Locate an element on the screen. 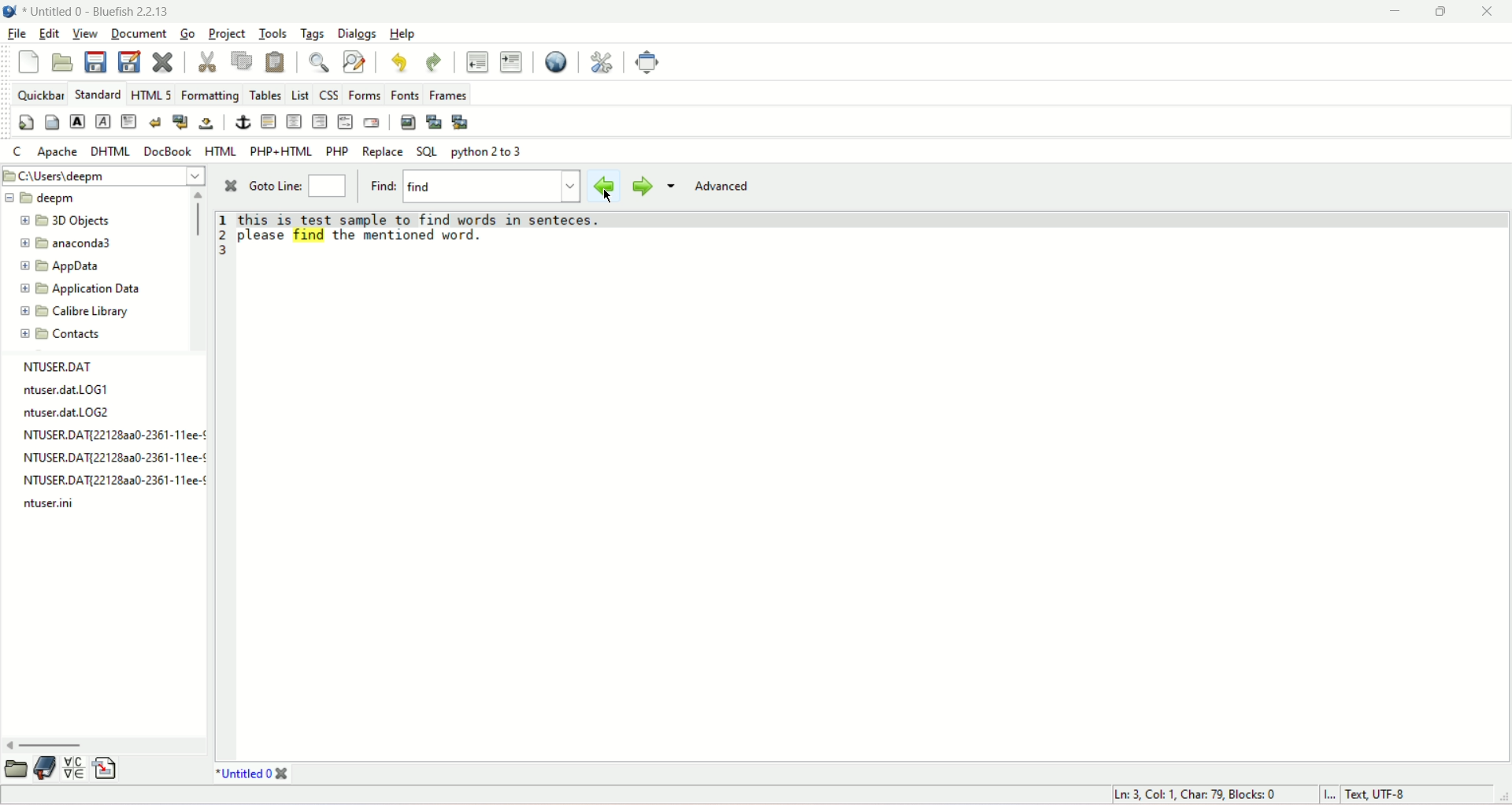 The width and height of the screenshot is (1512, 805). PHP is located at coordinates (337, 150).